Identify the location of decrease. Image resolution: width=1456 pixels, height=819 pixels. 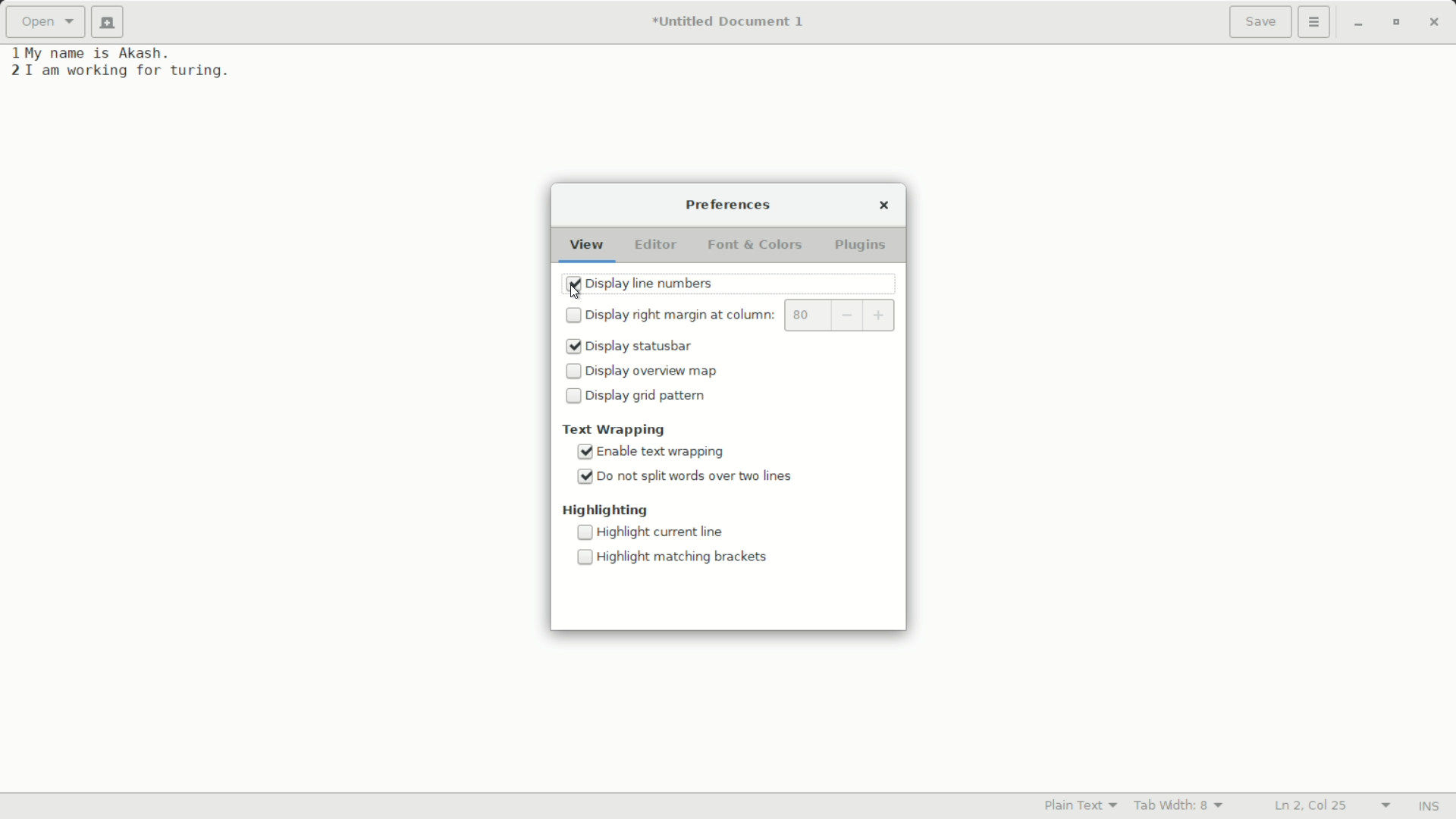
(848, 315).